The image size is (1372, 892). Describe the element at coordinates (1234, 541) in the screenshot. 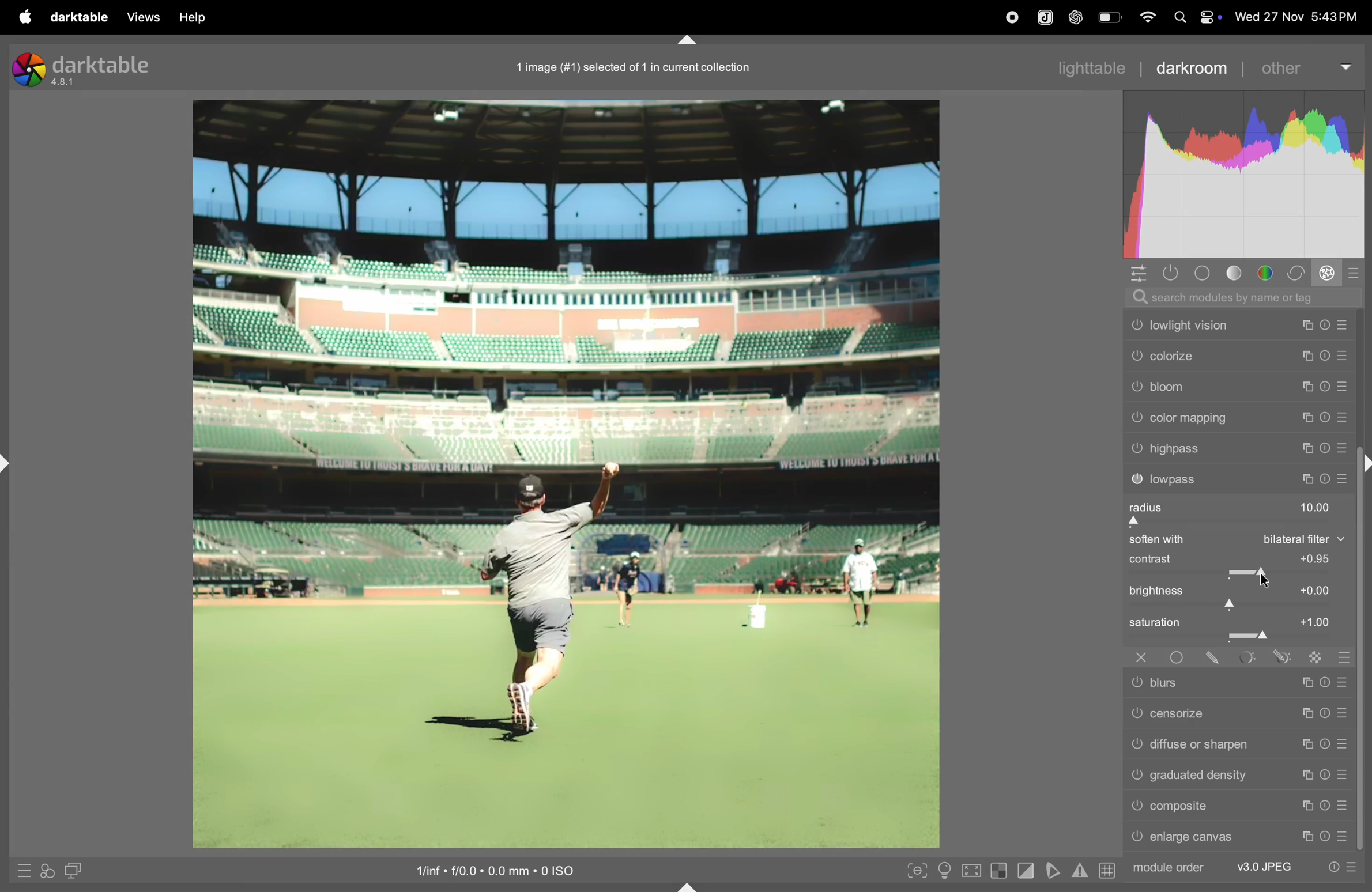

I see `soften with bilateral filter` at that location.